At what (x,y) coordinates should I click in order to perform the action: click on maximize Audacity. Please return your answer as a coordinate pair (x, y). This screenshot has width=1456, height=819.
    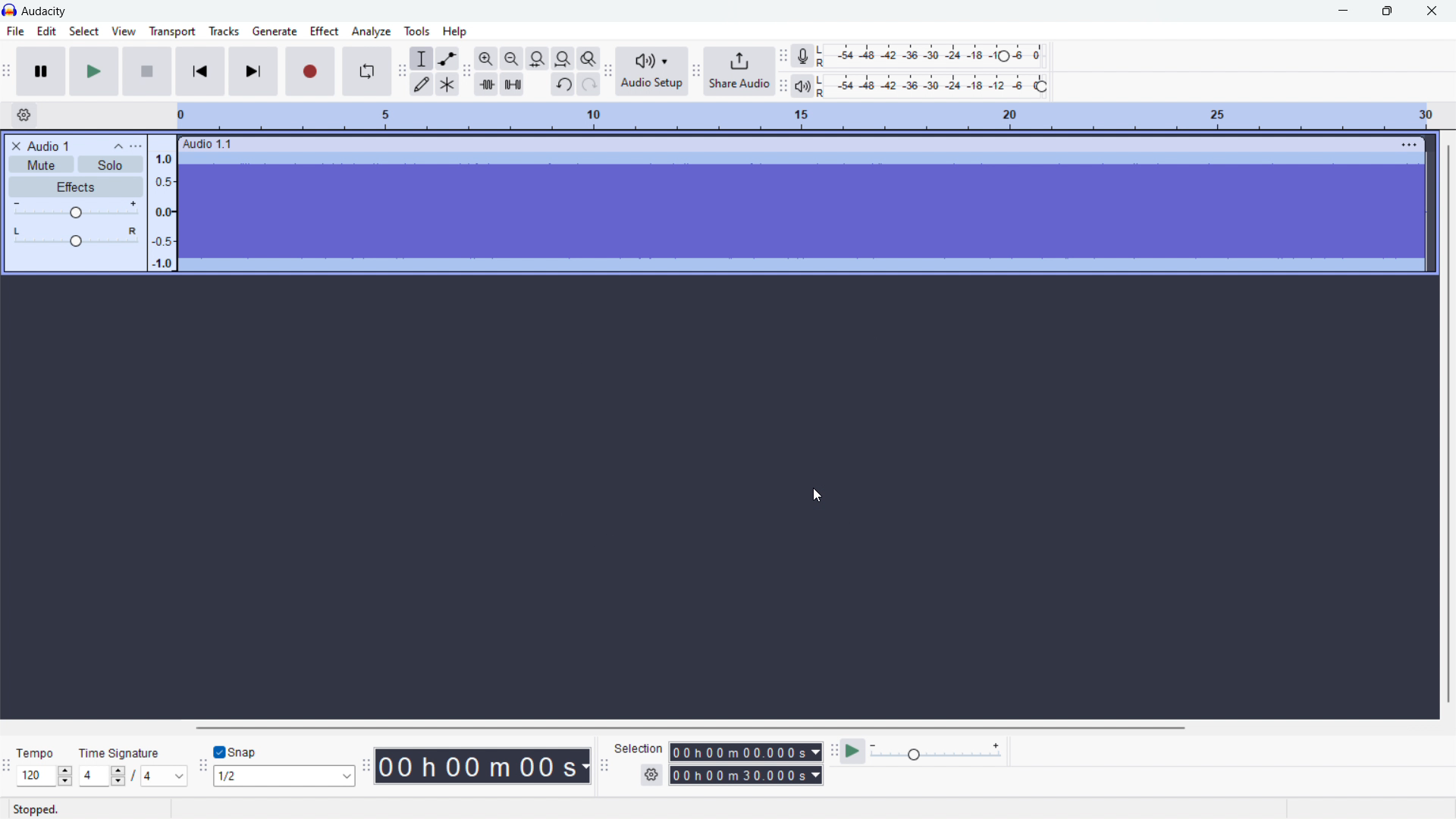
    Looking at the image, I should click on (1387, 11).